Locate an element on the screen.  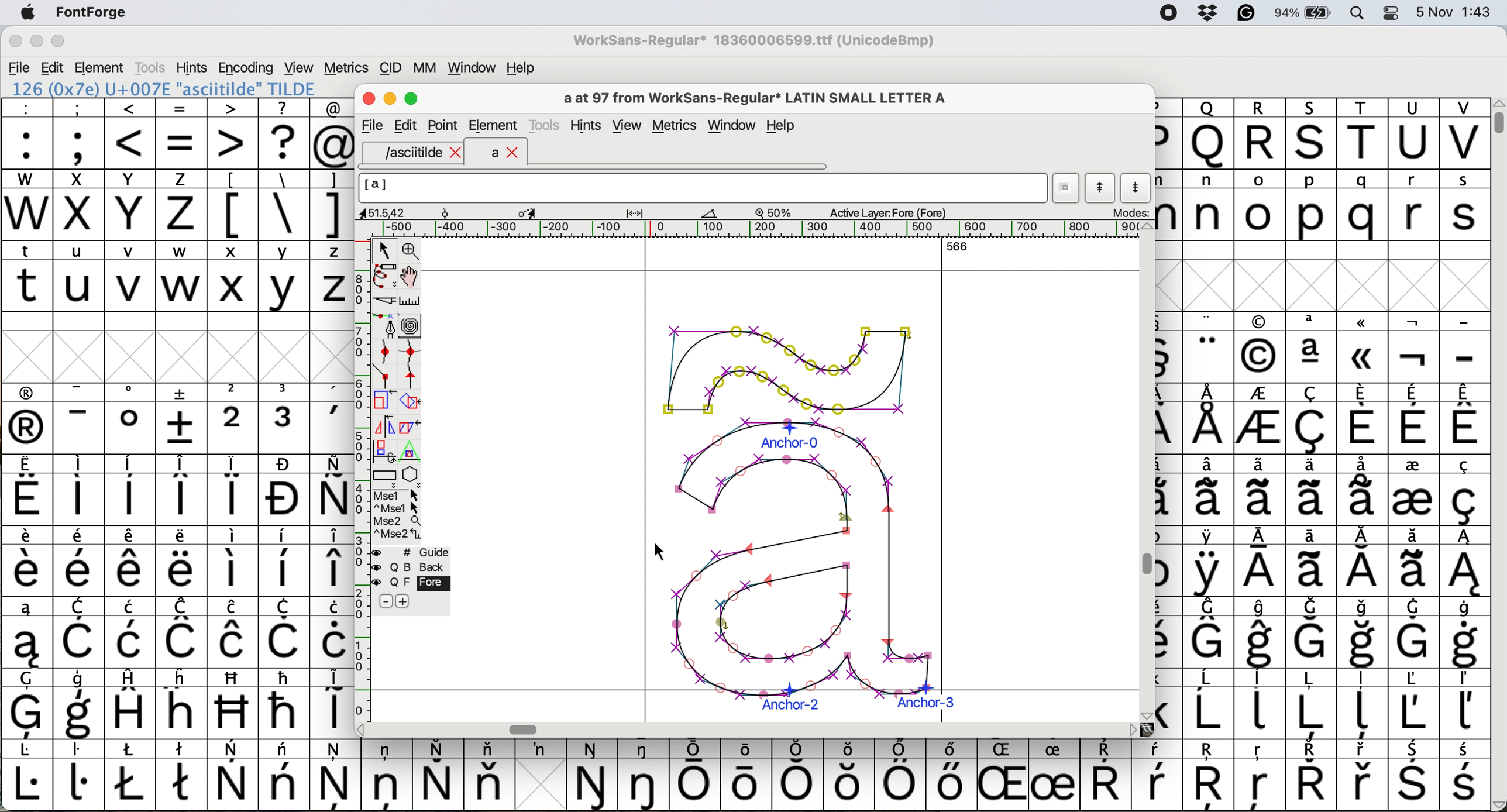
more options is located at coordinates (398, 514).